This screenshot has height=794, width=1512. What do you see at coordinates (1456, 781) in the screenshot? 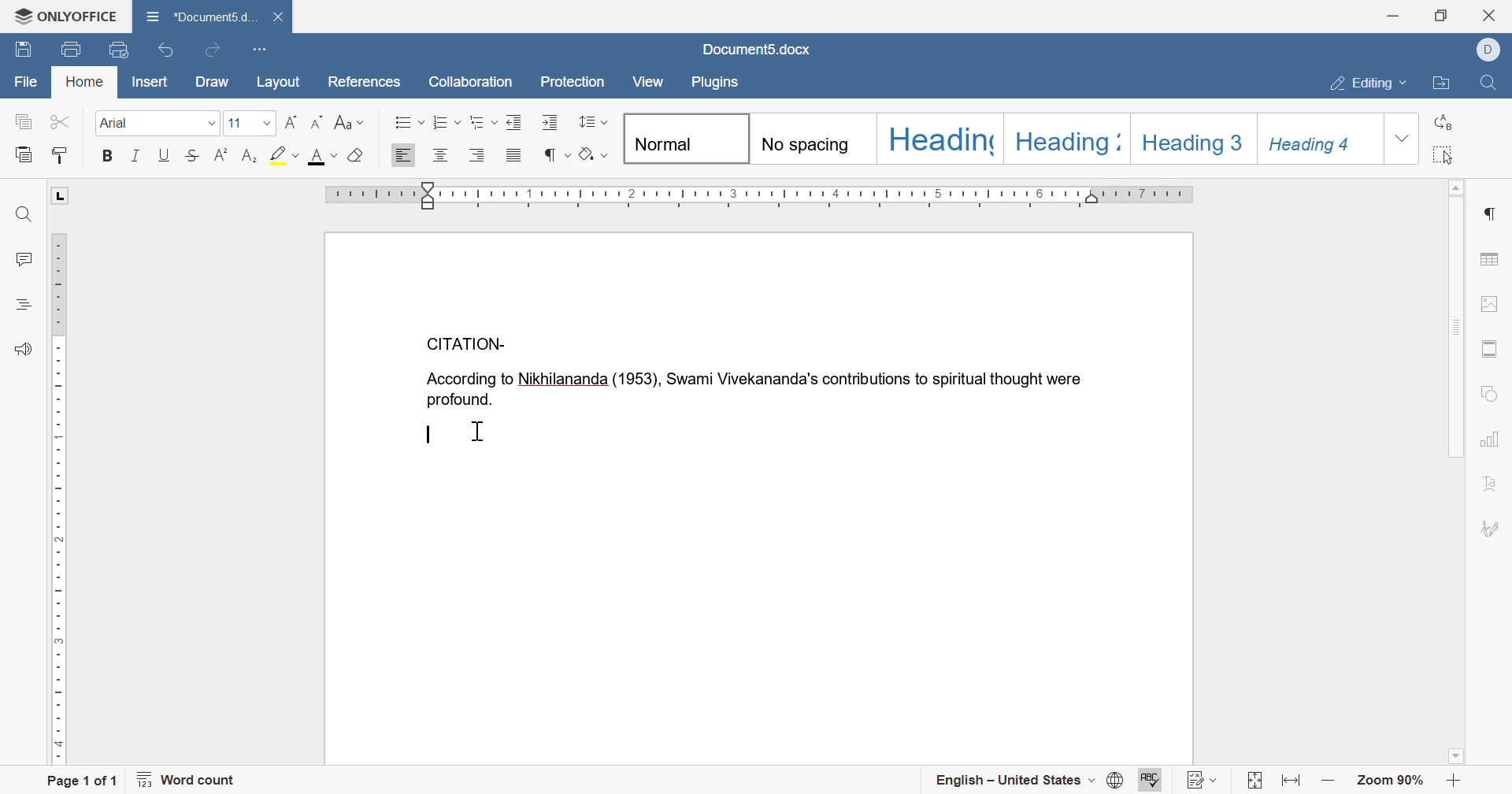
I see `zoom in` at bounding box center [1456, 781].